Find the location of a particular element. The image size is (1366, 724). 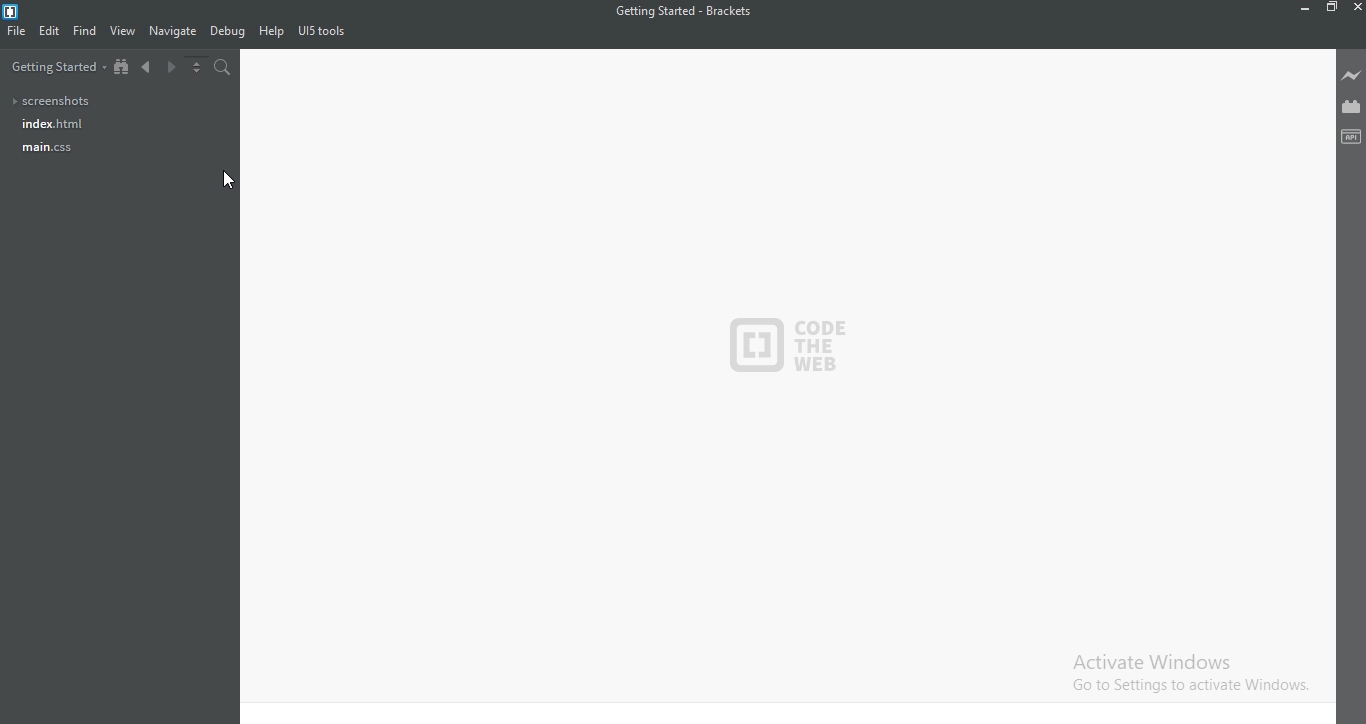

View is located at coordinates (124, 31).